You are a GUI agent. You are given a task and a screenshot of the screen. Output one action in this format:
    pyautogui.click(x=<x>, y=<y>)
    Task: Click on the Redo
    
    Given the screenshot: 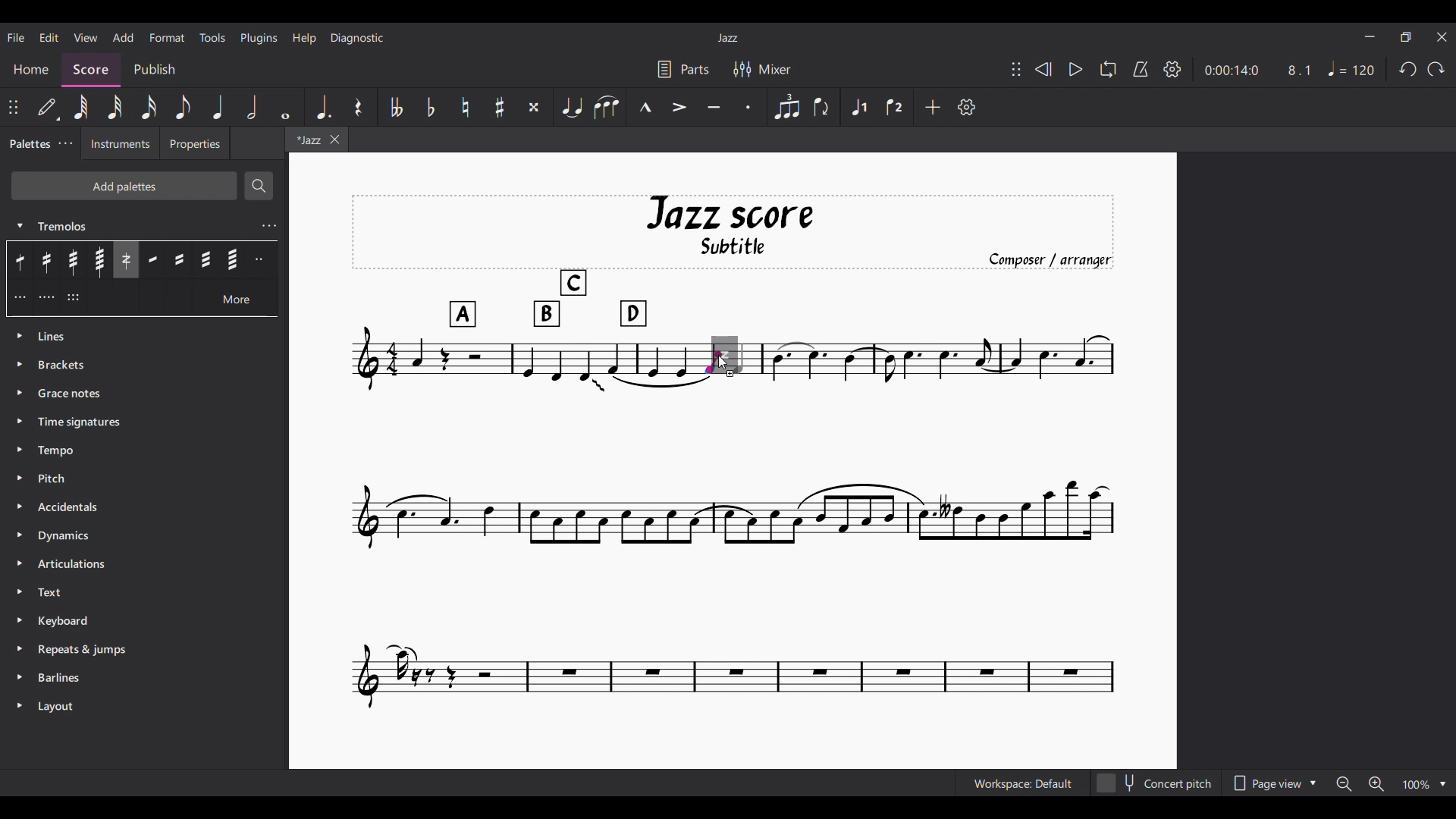 What is the action you would take?
    pyautogui.click(x=1437, y=69)
    